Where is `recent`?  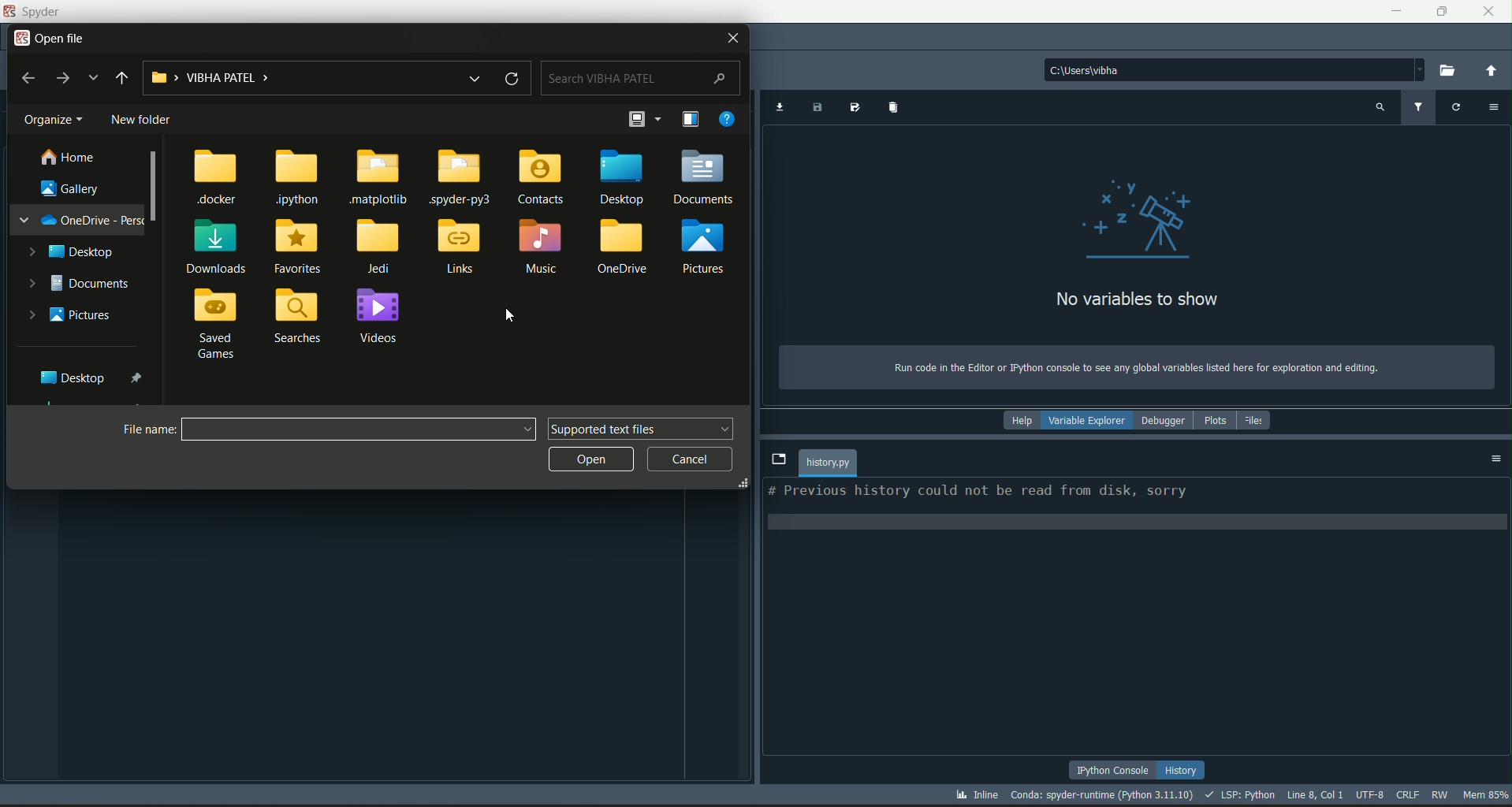 recent is located at coordinates (92, 78).